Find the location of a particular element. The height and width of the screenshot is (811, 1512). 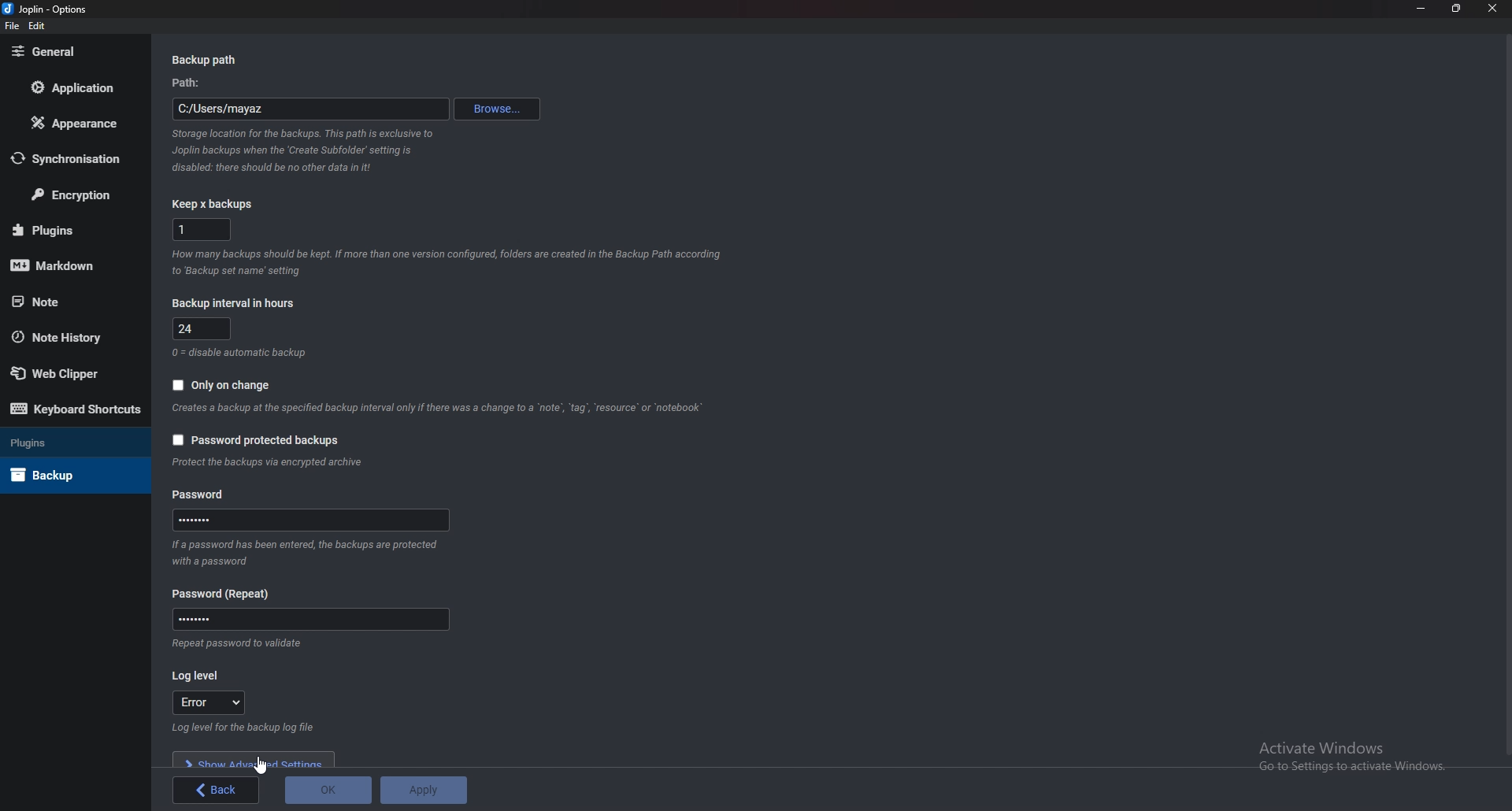

general is located at coordinates (68, 52).